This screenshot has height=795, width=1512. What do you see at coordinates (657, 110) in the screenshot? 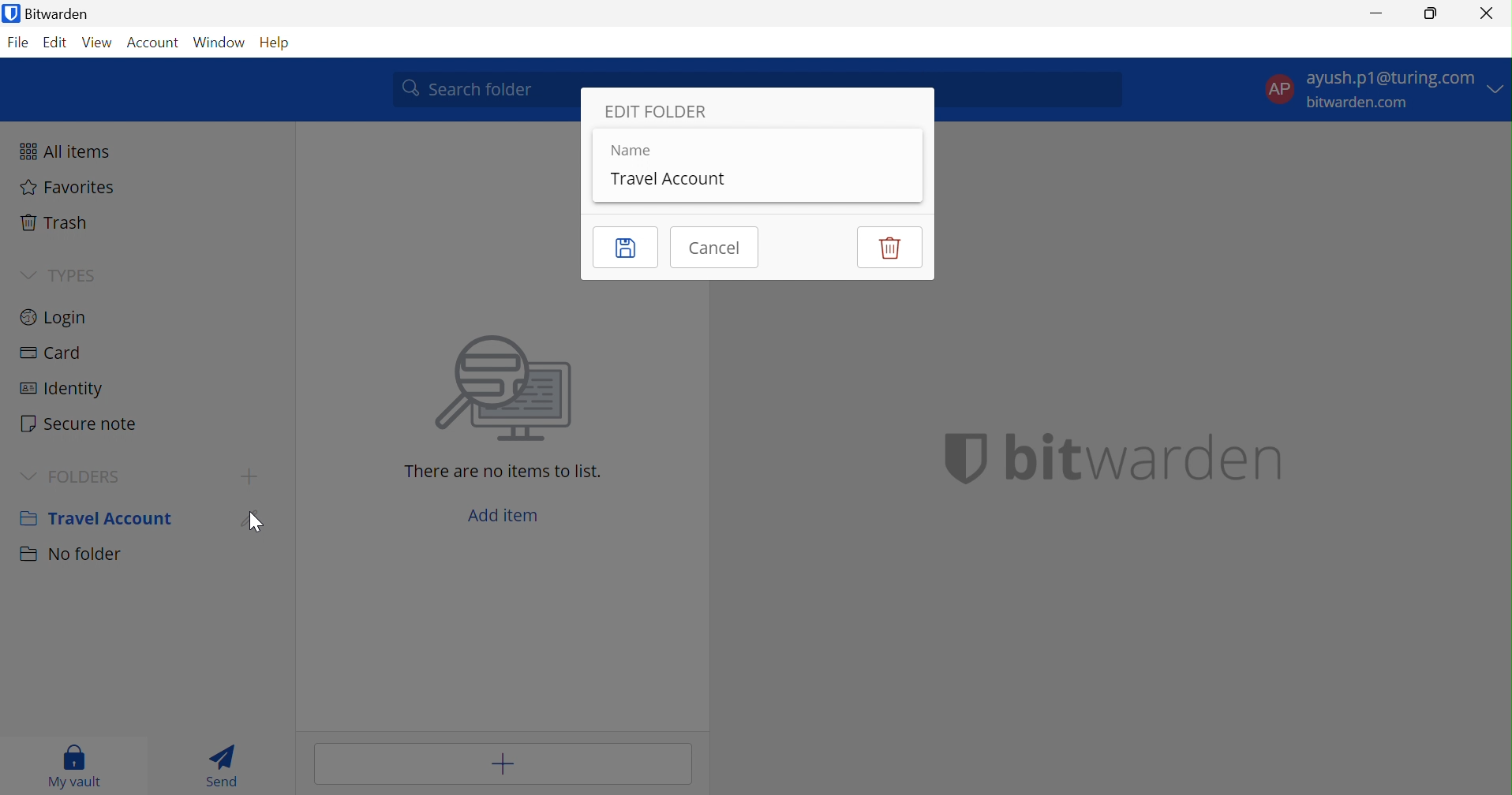
I see `EDIT FOLDER` at bounding box center [657, 110].